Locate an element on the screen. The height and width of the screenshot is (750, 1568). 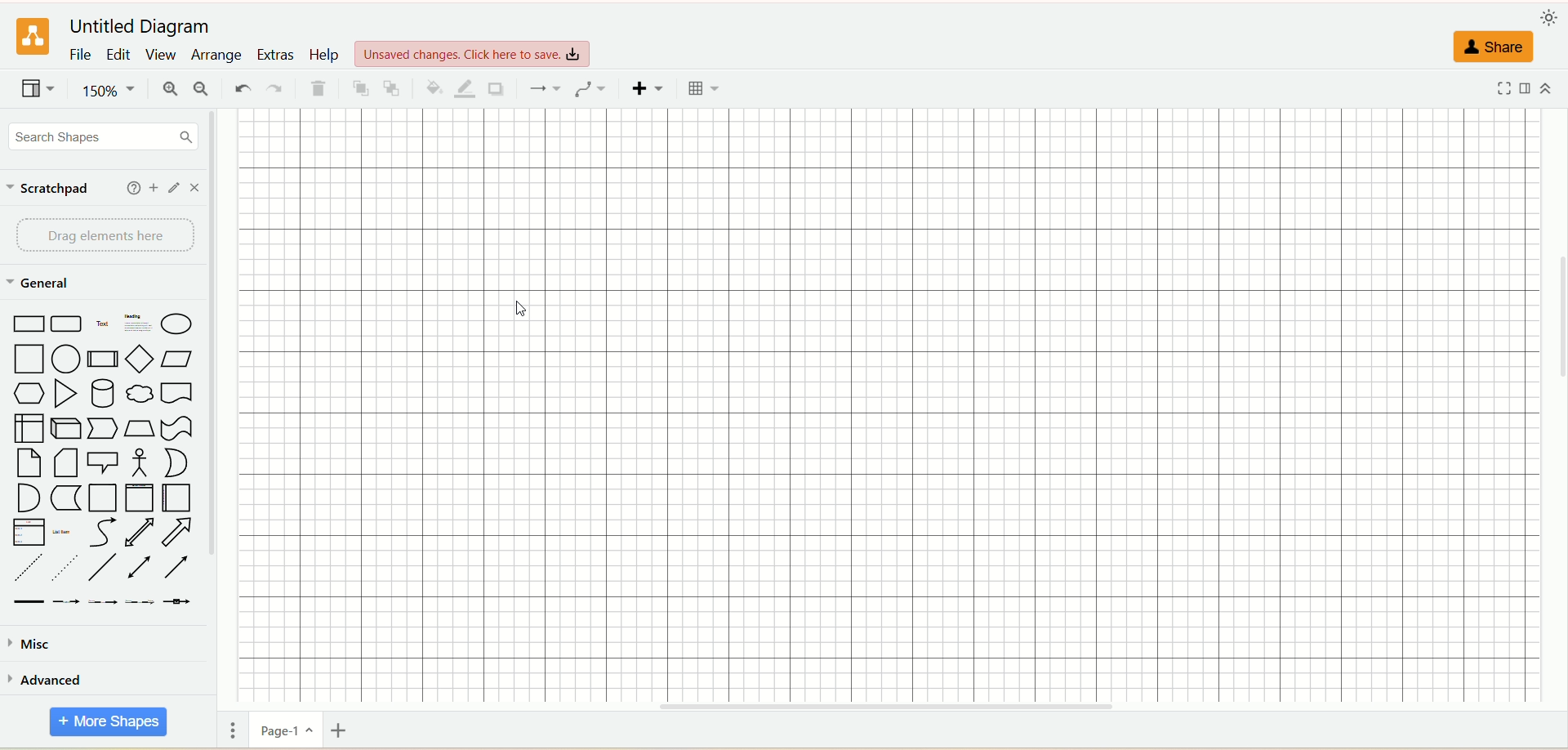
undo is located at coordinates (243, 87).